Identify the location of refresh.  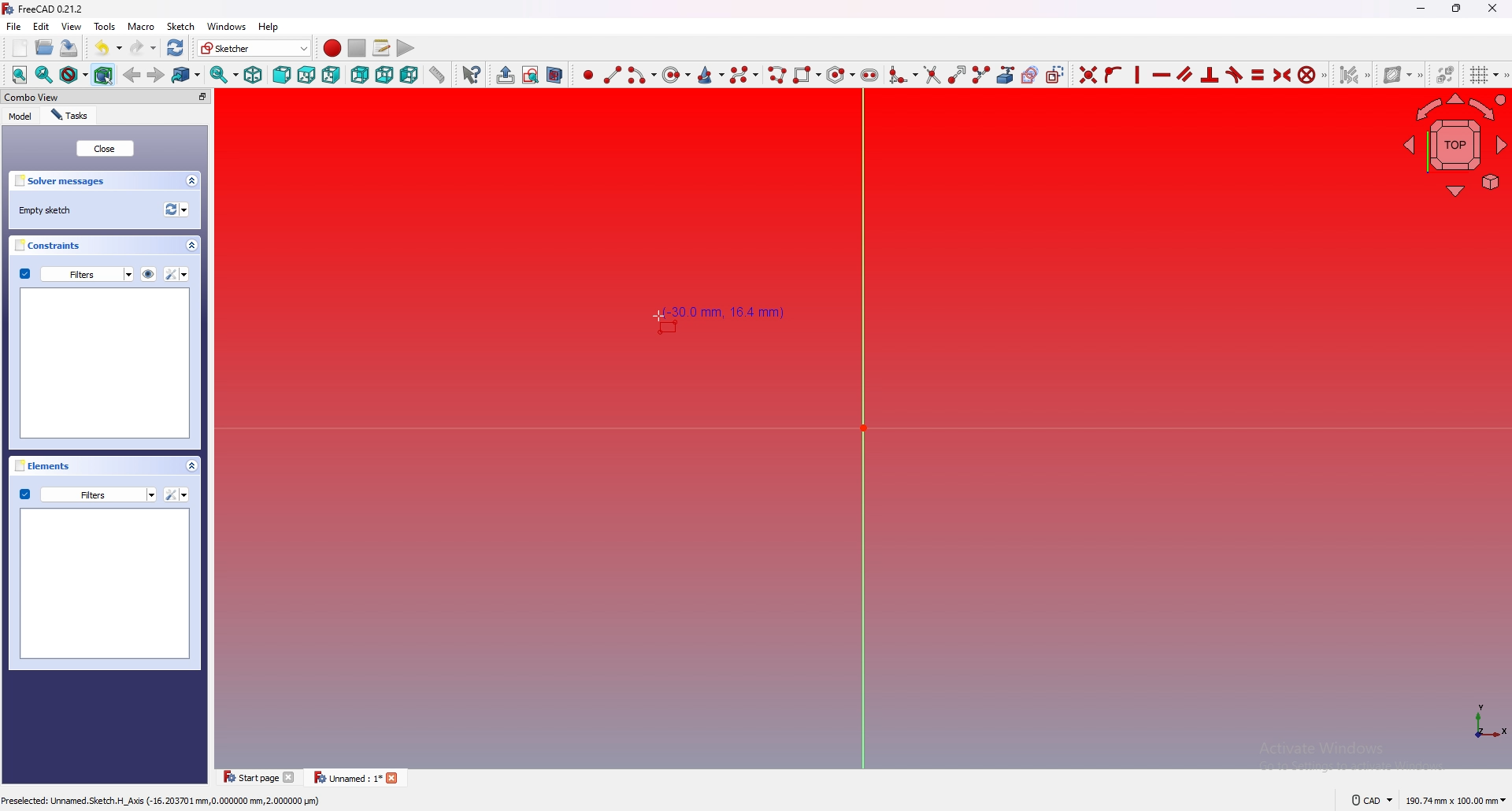
(176, 48).